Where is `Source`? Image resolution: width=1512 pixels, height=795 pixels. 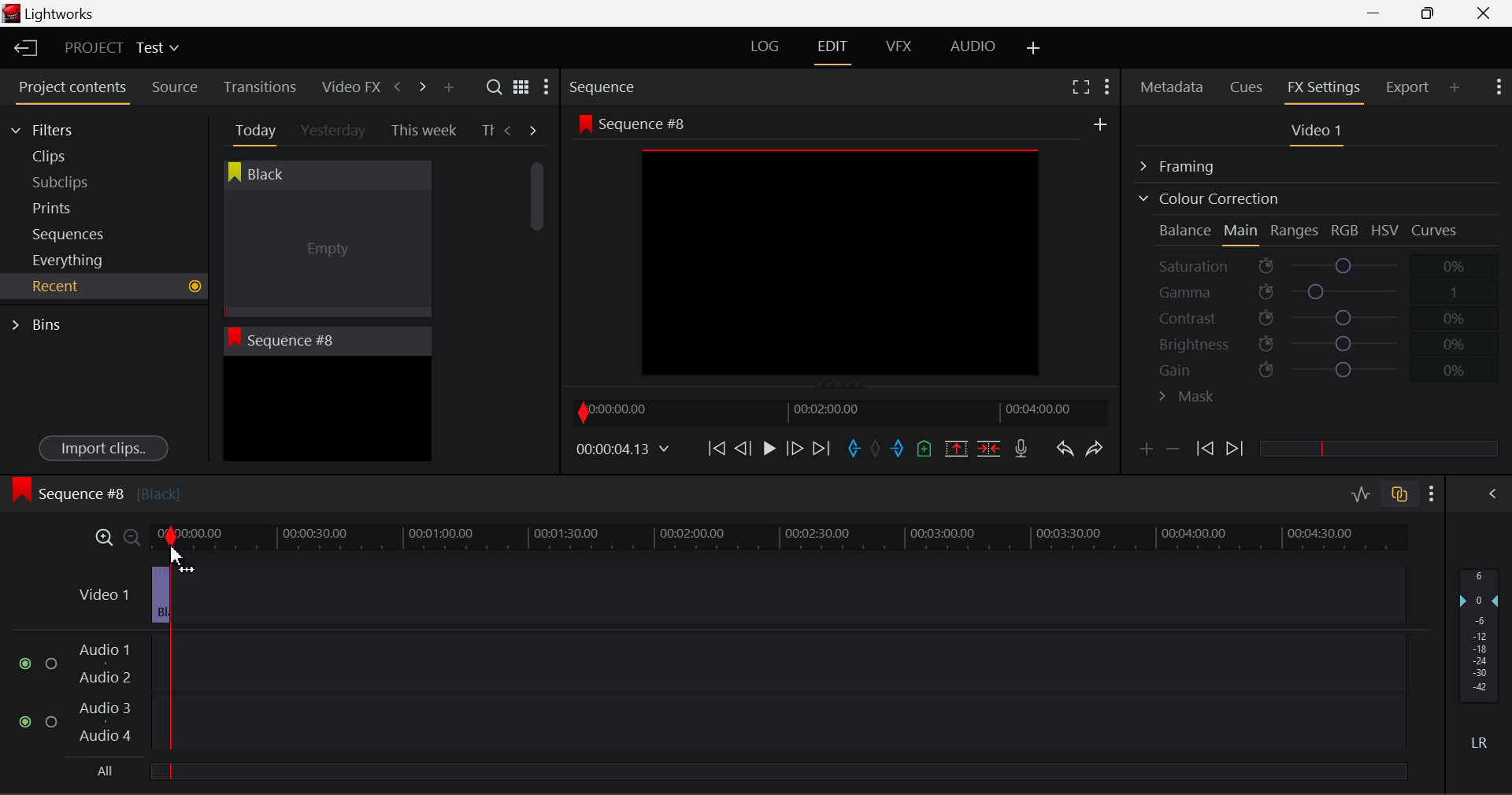 Source is located at coordinates (175, 87).